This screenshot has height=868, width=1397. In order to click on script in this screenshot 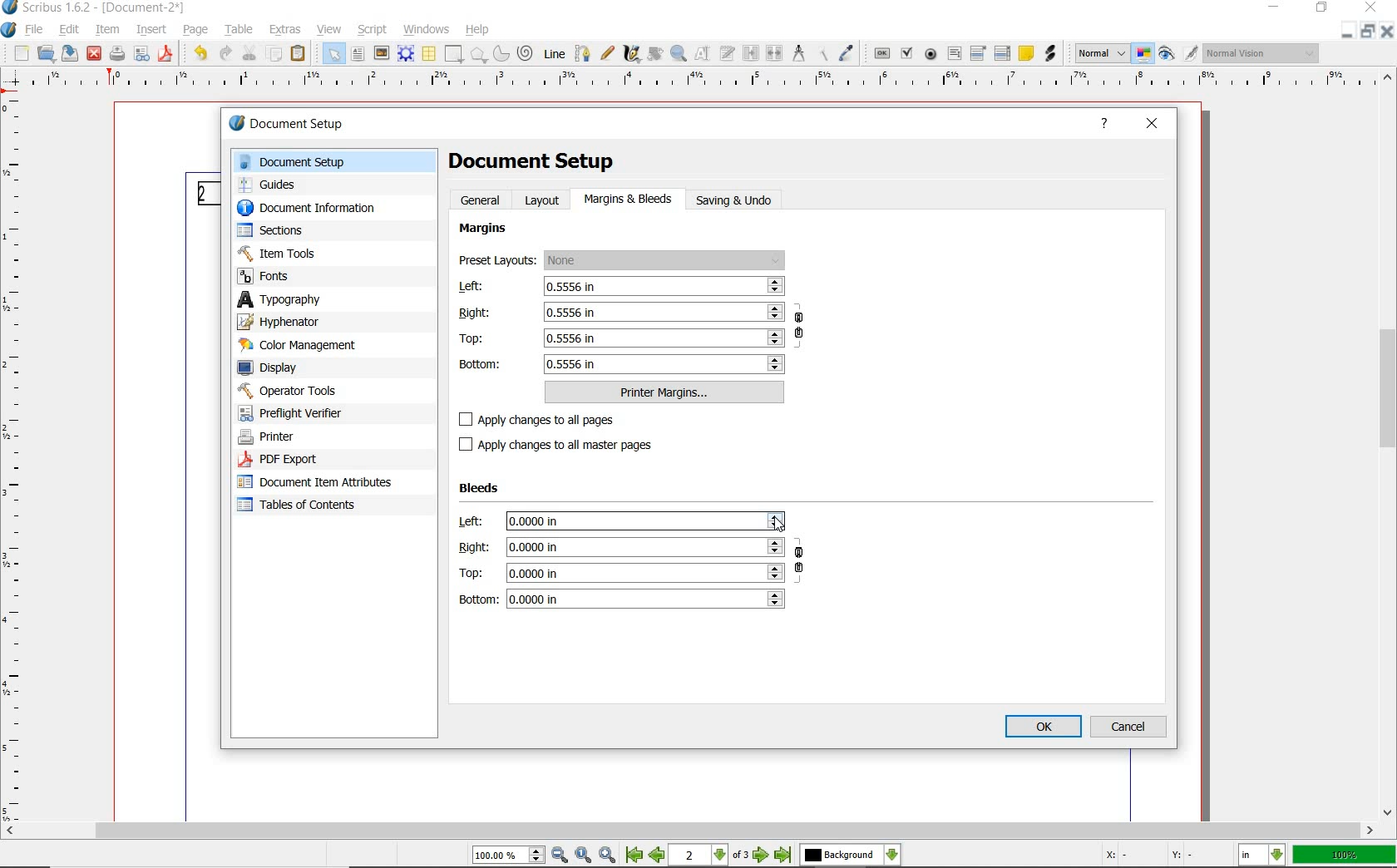, I will do `click(374, 29)`.